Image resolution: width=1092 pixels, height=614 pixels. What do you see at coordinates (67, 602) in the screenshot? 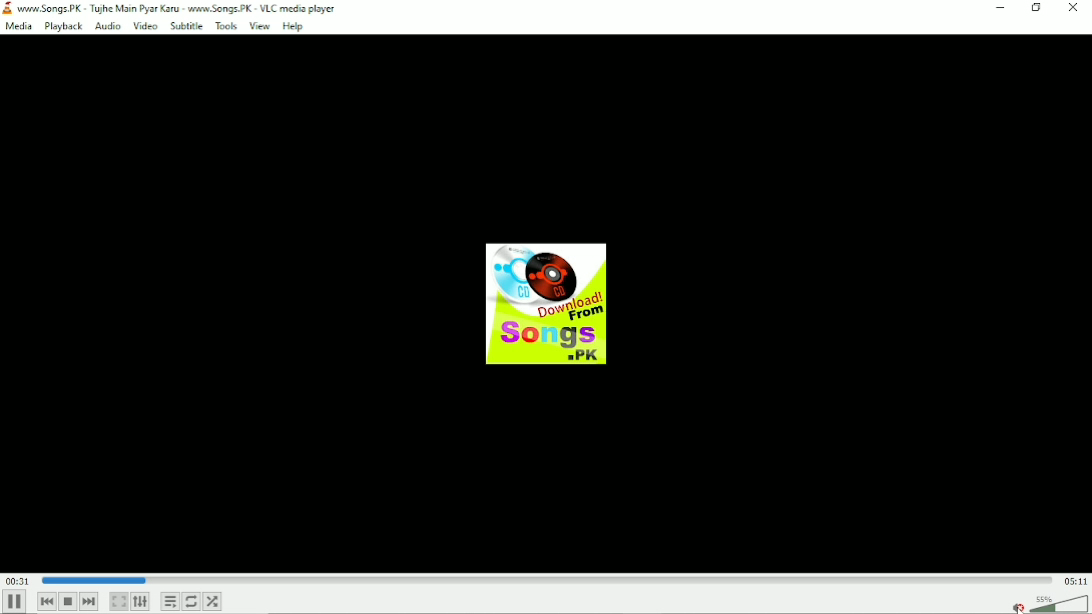
I see `Stop playback` at bounding box center [67, 602].